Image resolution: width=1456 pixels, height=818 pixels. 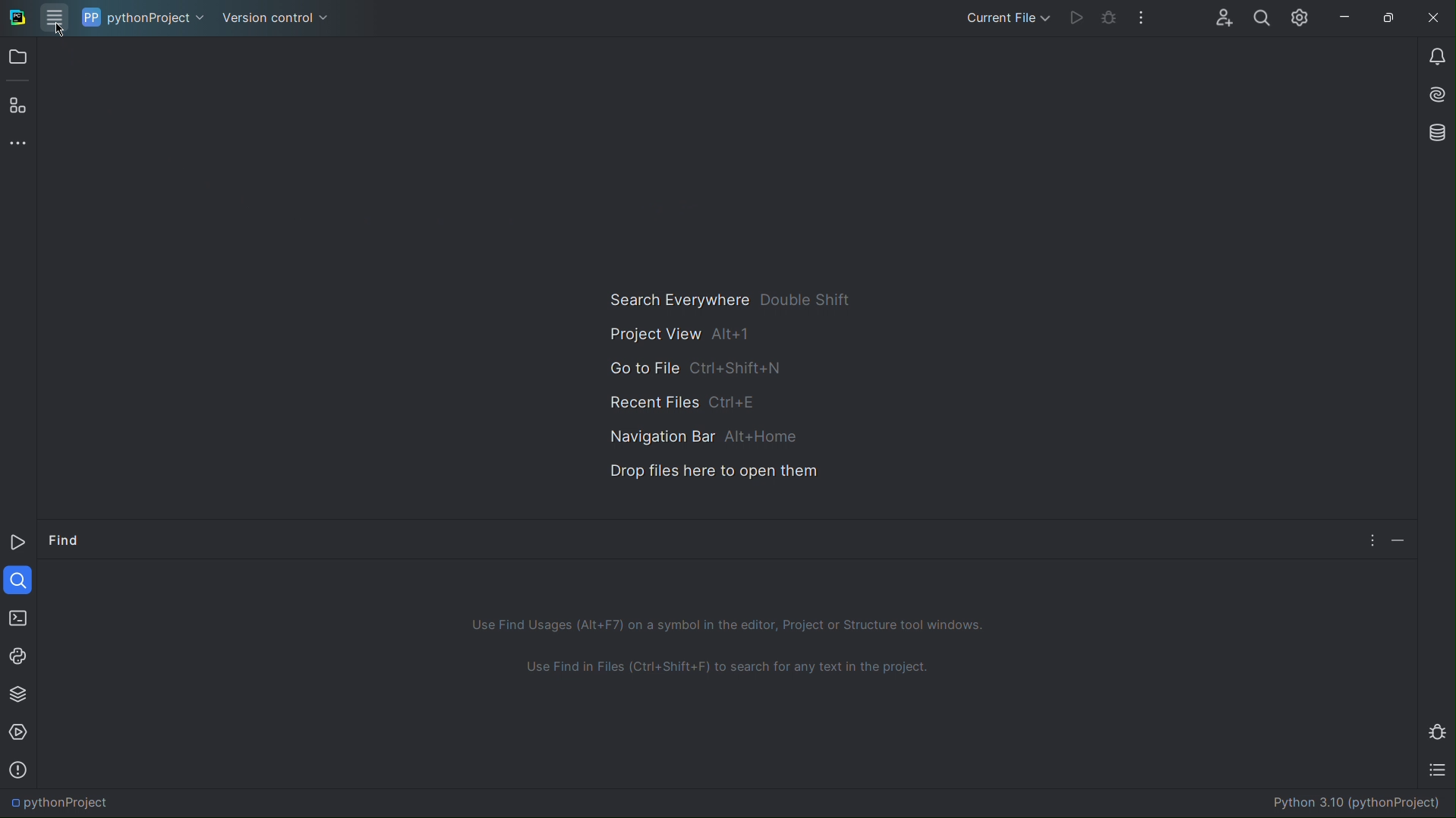 I want to click on Debug, so click(x=1110, y=16).